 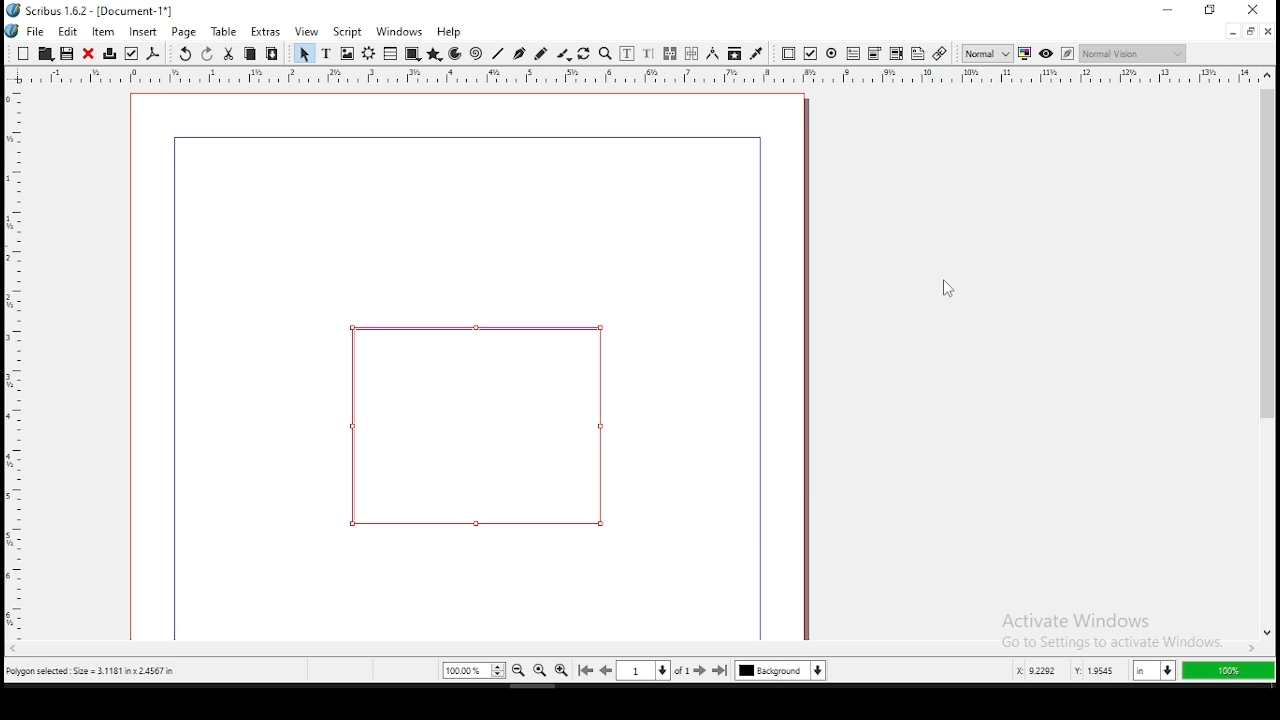 What do you see at coordinates (44, 53) in the screenshot?
I see `open` at bounding box center [44, 53].